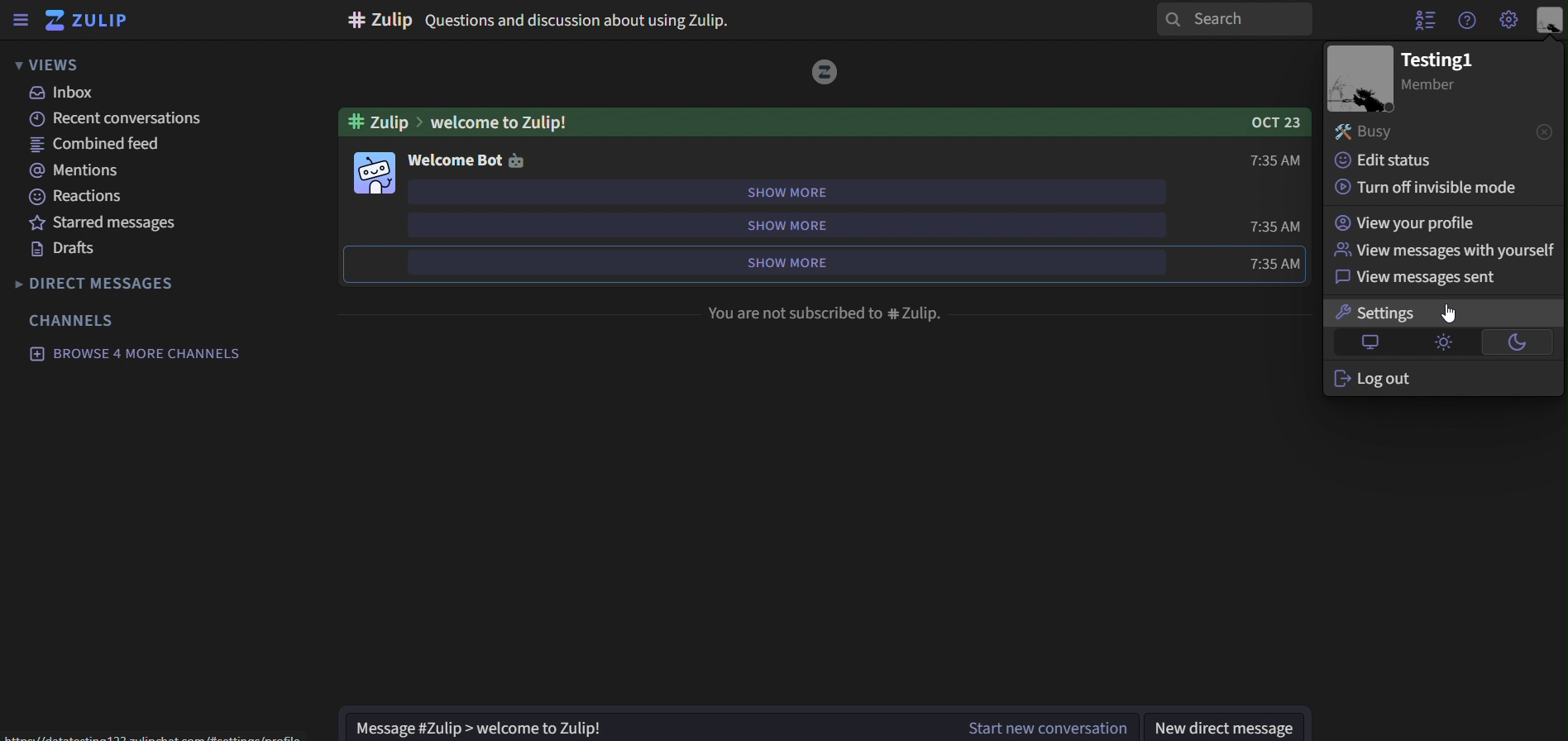 Image resolution: width=1568 pixels, height=741 pixels. Describe the element at coordinates (1388, 378) in the screenshot. I see `logout` at that location.